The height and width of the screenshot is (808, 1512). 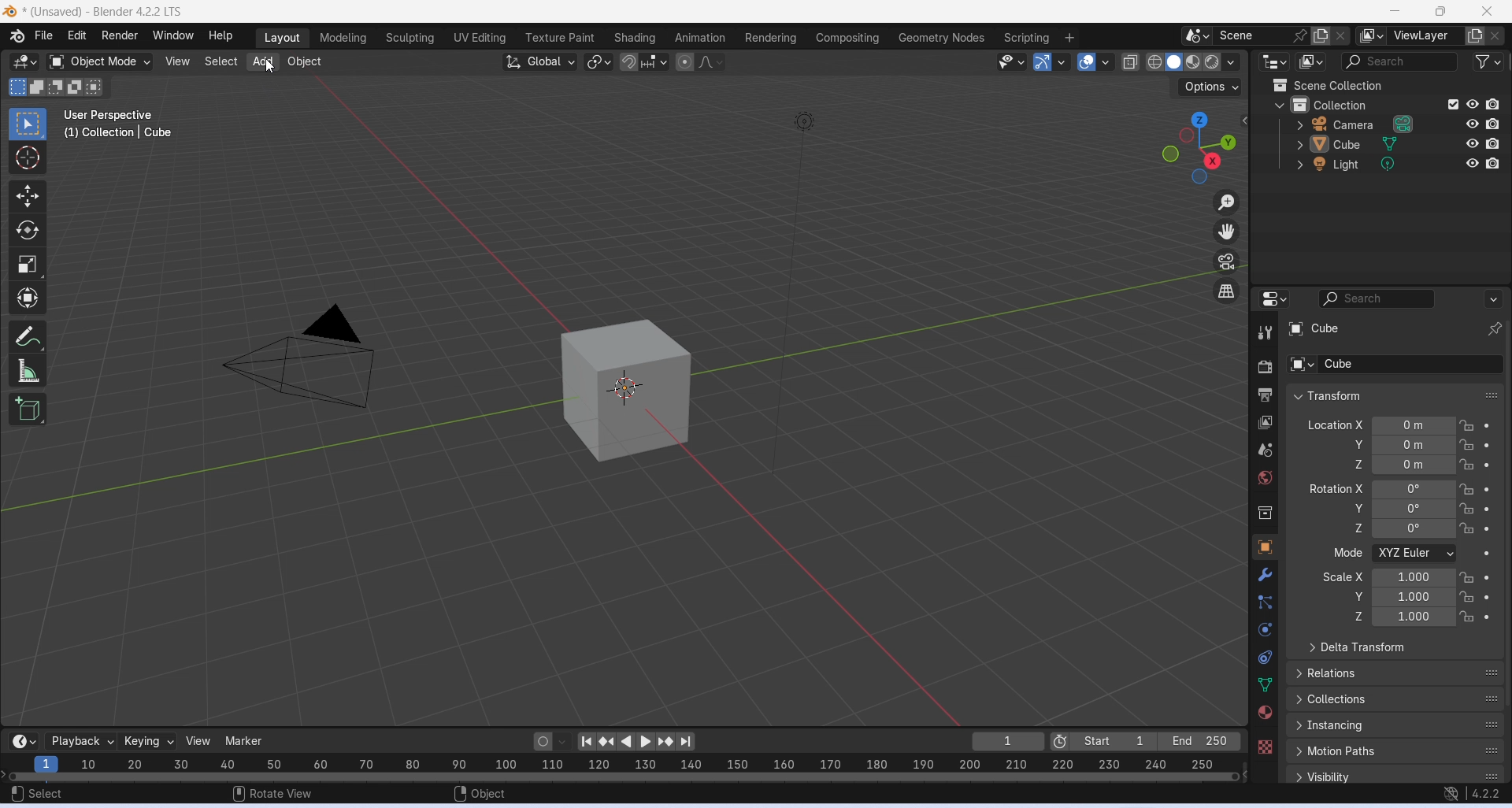 What do you see at coordinates (1226, 261) in the screenshot?
I see `Toggle the camera view` at bounding box center [1226, 261].